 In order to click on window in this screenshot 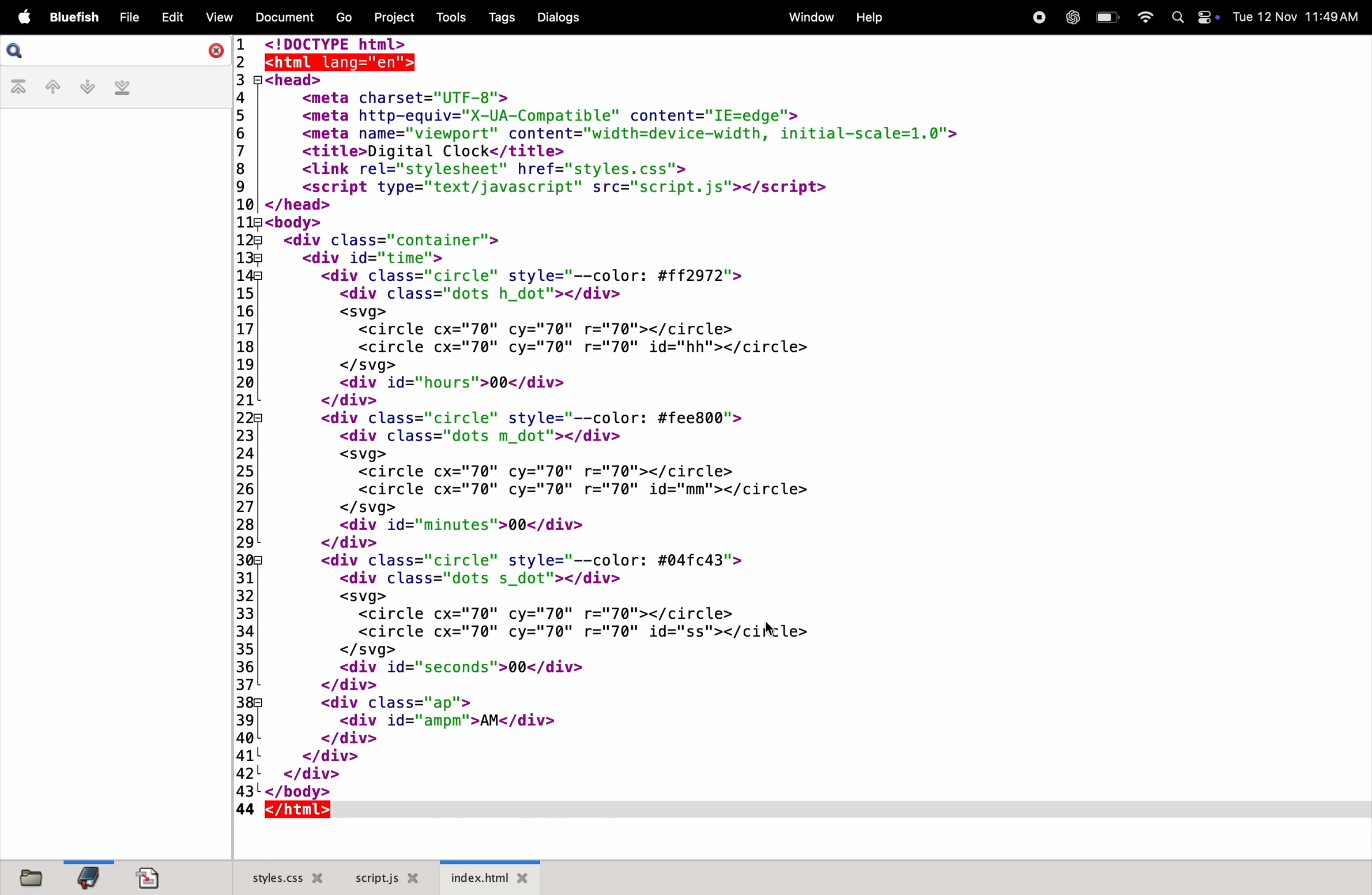, I will do `click(811, 16)`.